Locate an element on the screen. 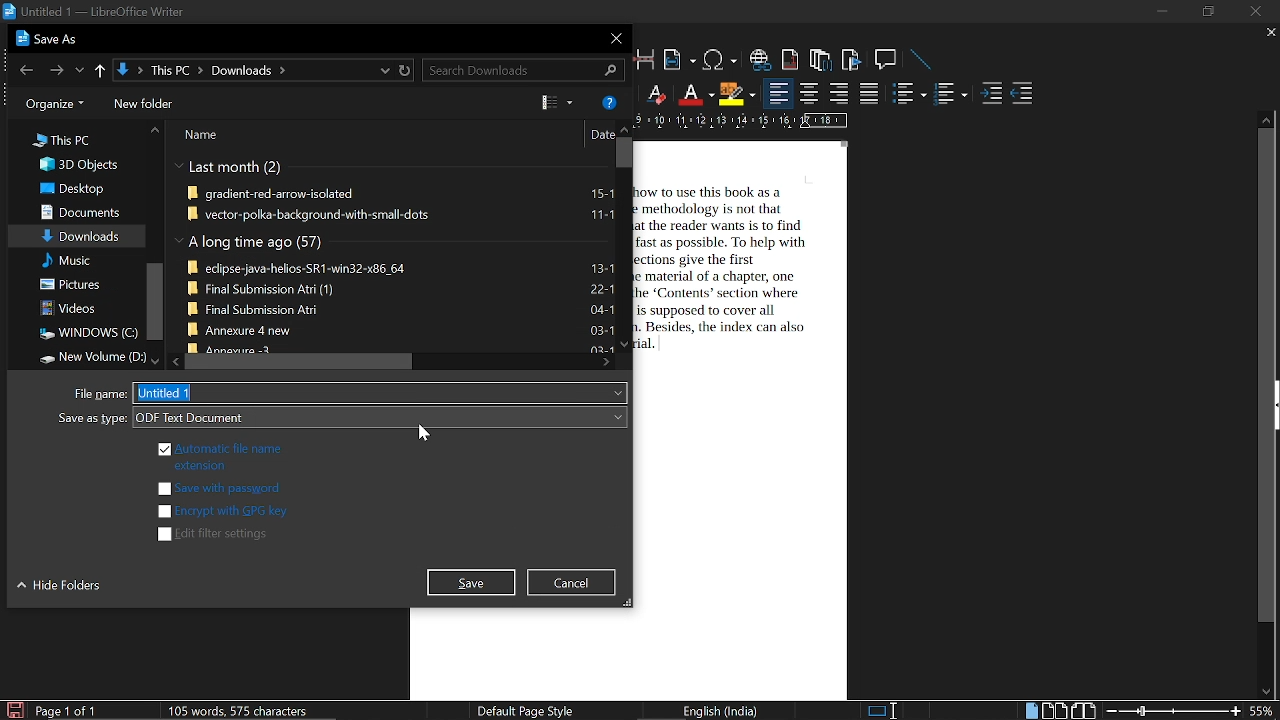 Image resolution: width=1280 pixels, height=720 pixels. close is located at coordinates (613, 38).